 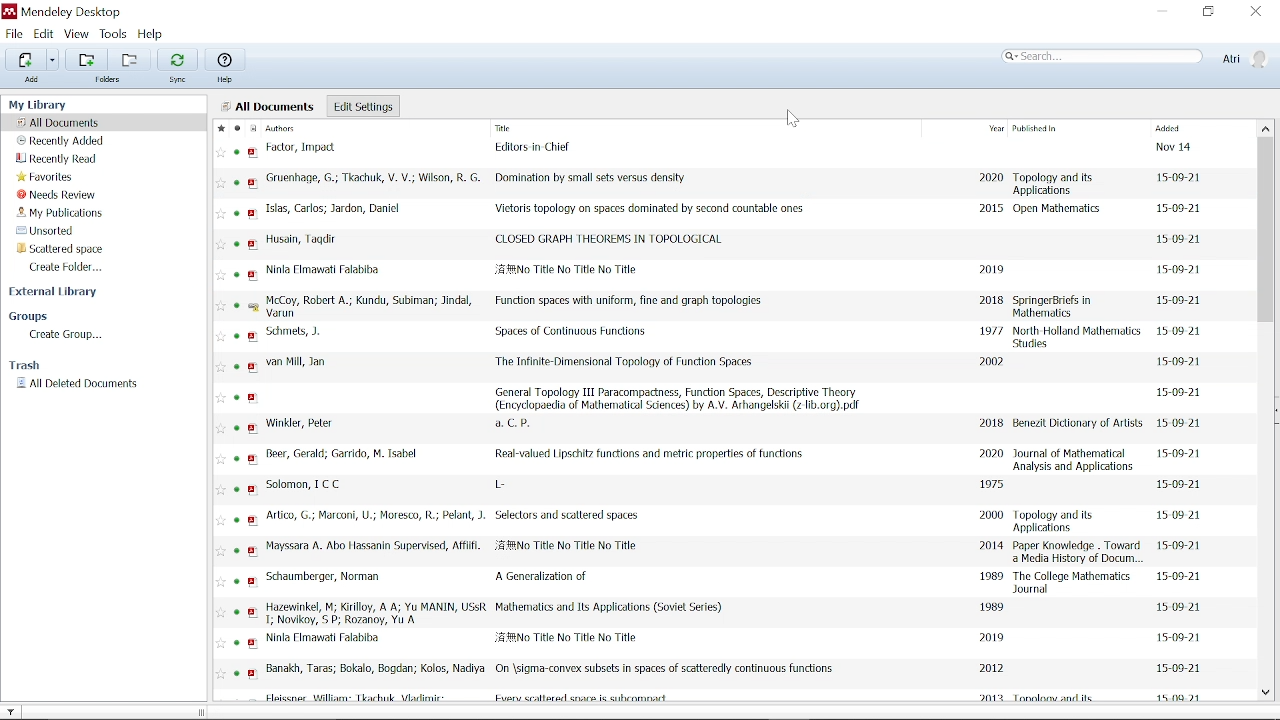 I want to click on My library, so click(x=42, y=103).